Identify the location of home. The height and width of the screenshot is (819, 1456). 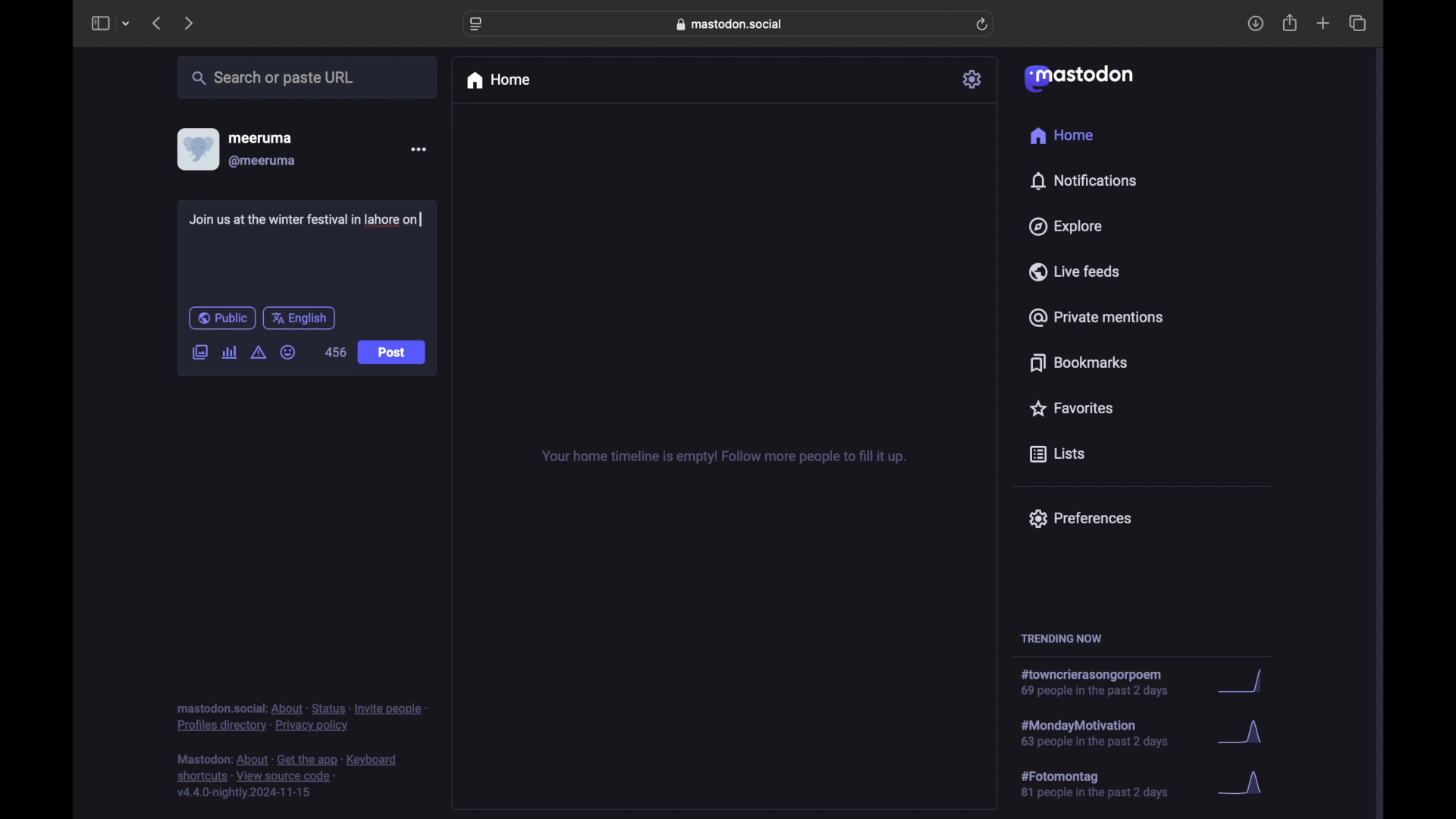
(497, 80).